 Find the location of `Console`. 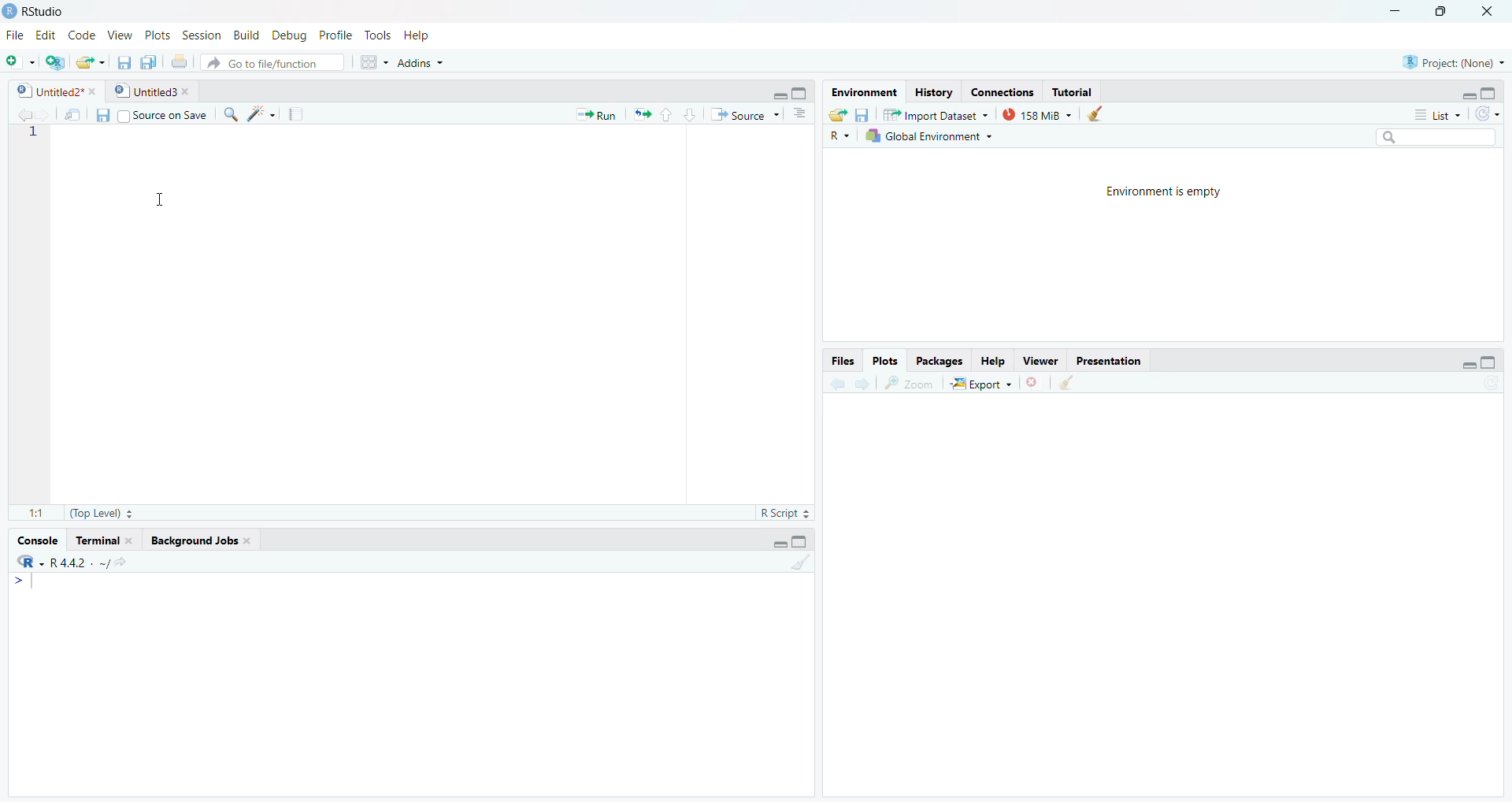

Console is located at coordinates (415, 684).